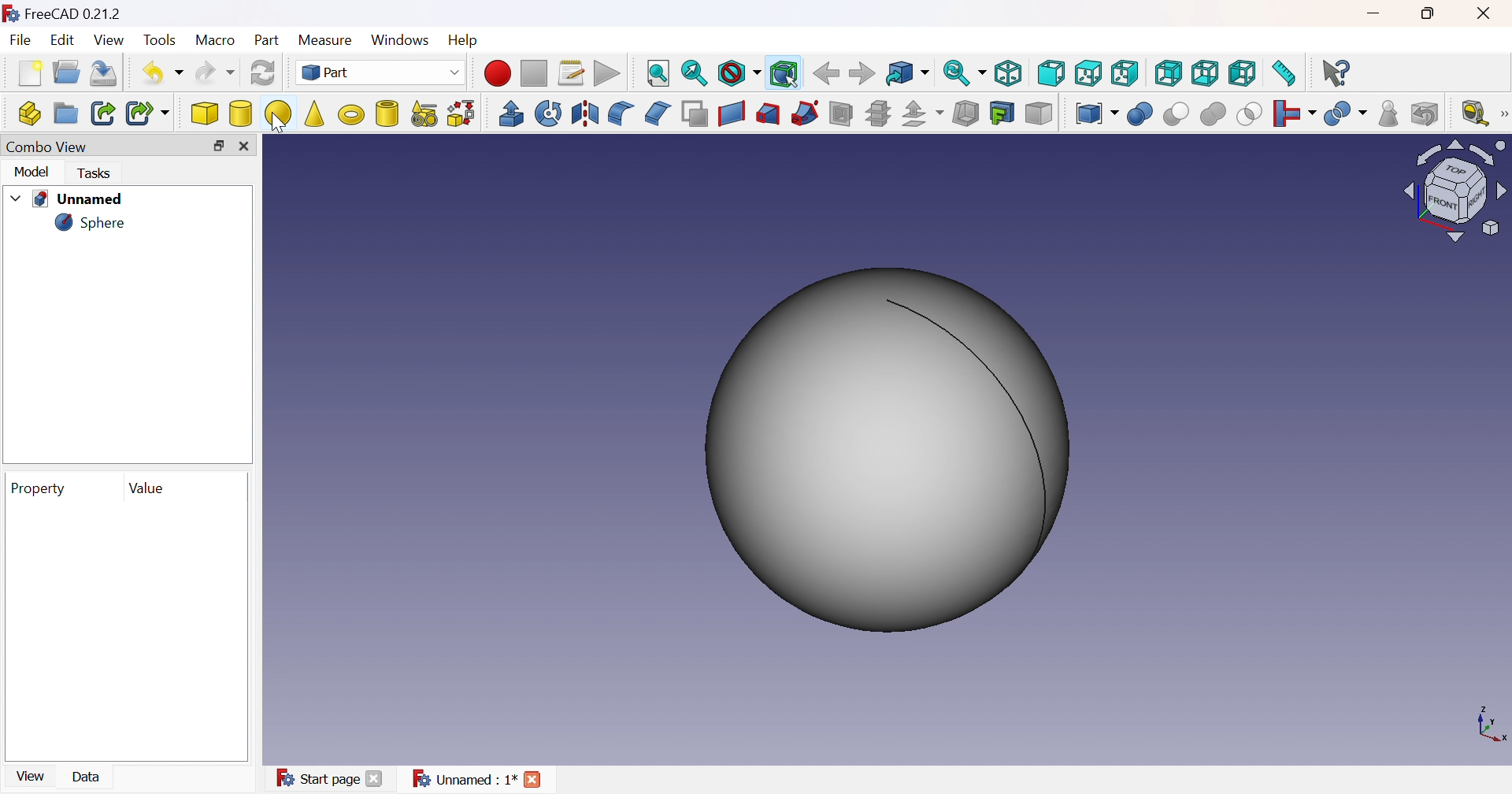 The height and width of the screenshot is (794, 1512). I want to click on Macro recording, so click(496, 73).